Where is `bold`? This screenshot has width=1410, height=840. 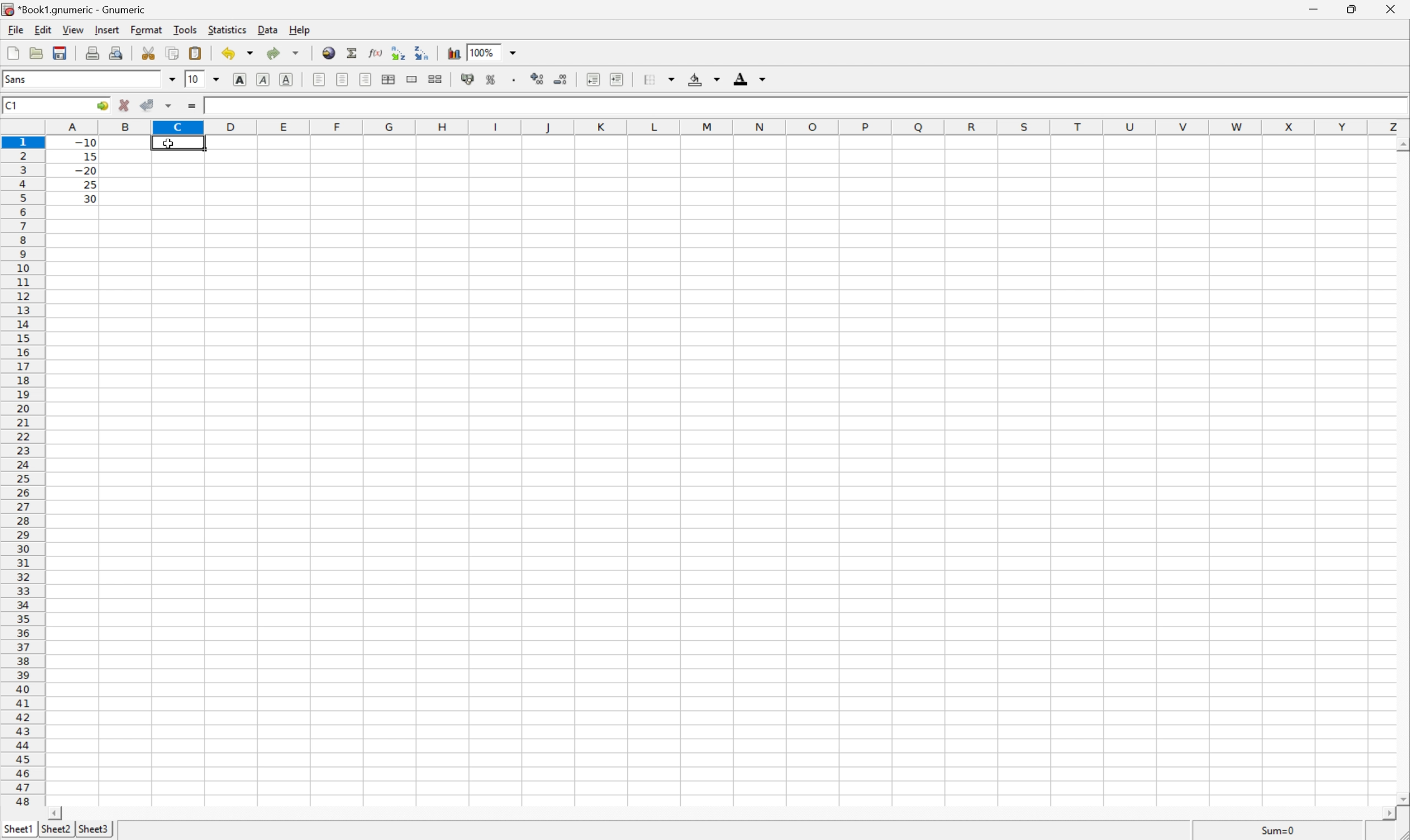
bold is located at coordinates (237, 78).